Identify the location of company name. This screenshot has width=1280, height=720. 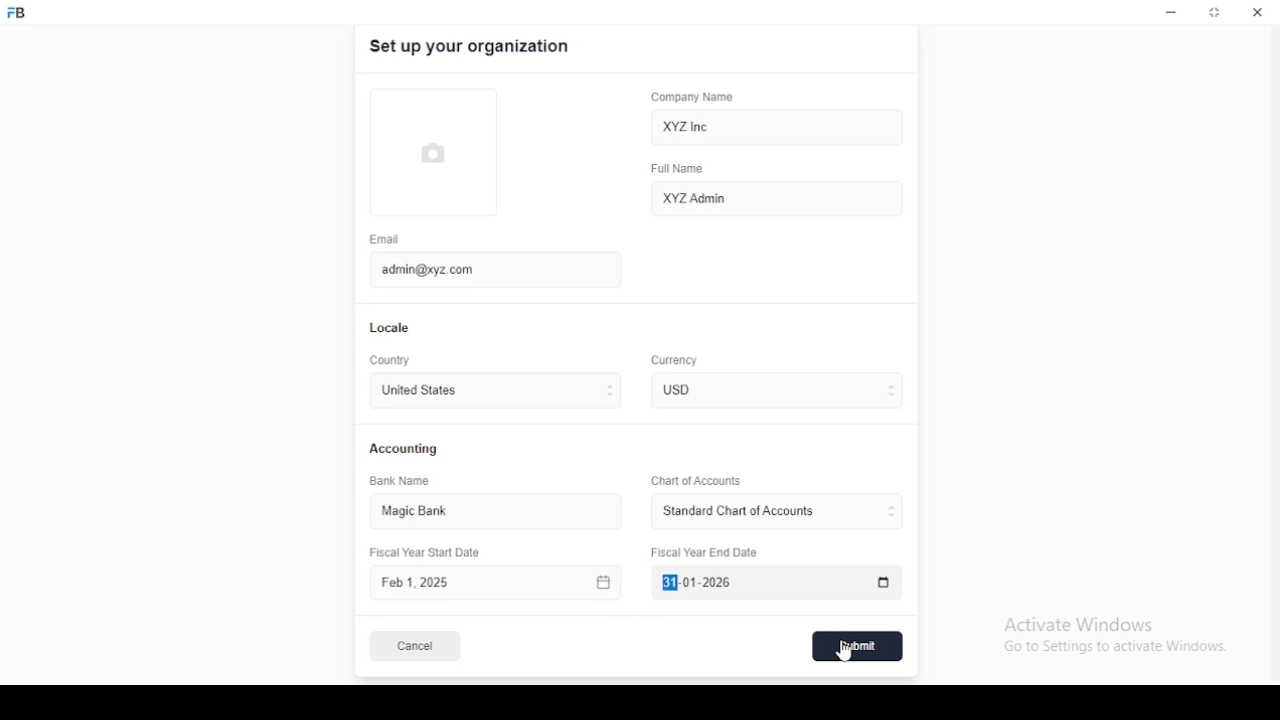
(692, 97).